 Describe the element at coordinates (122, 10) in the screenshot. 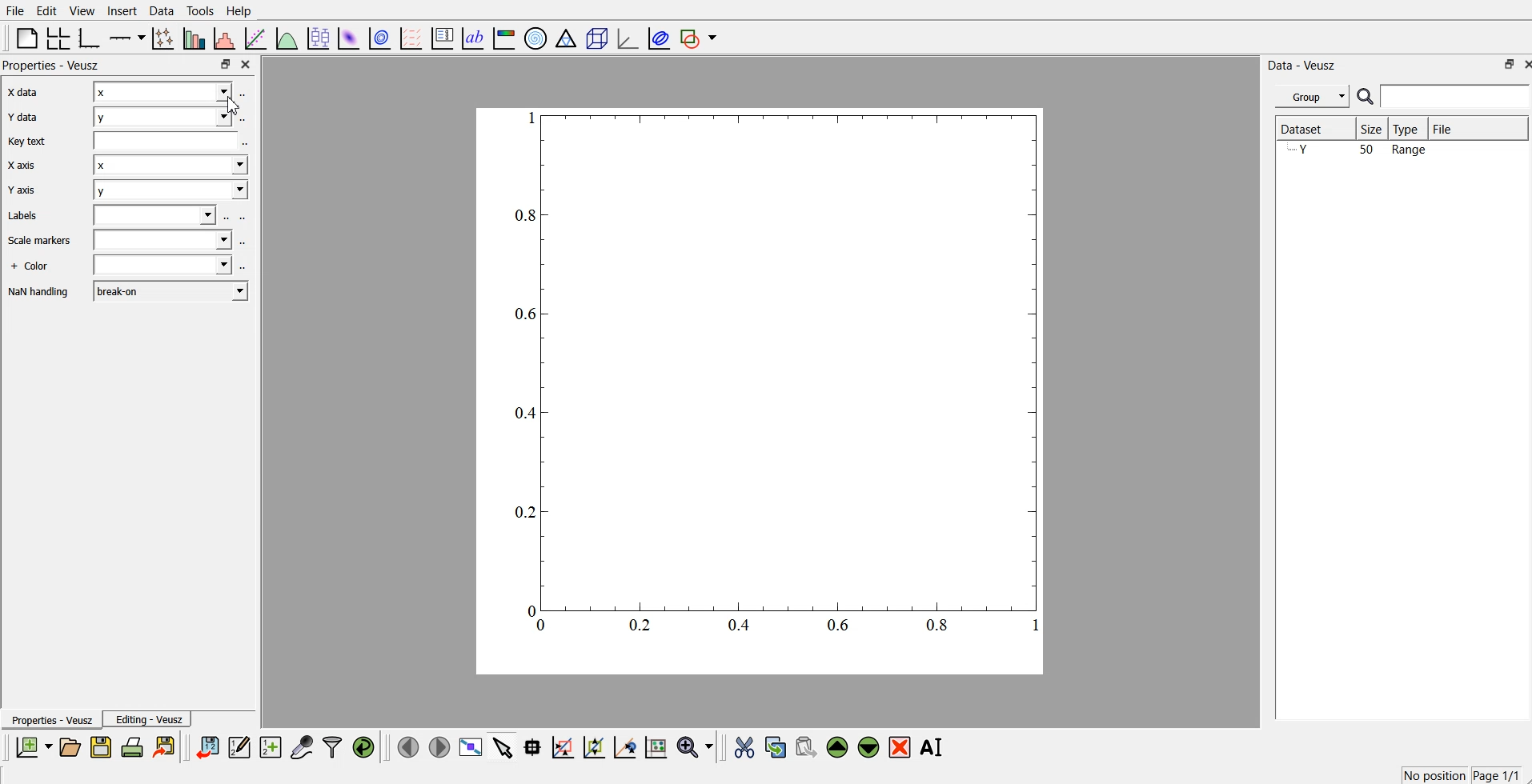

I see `Insert` at that location.